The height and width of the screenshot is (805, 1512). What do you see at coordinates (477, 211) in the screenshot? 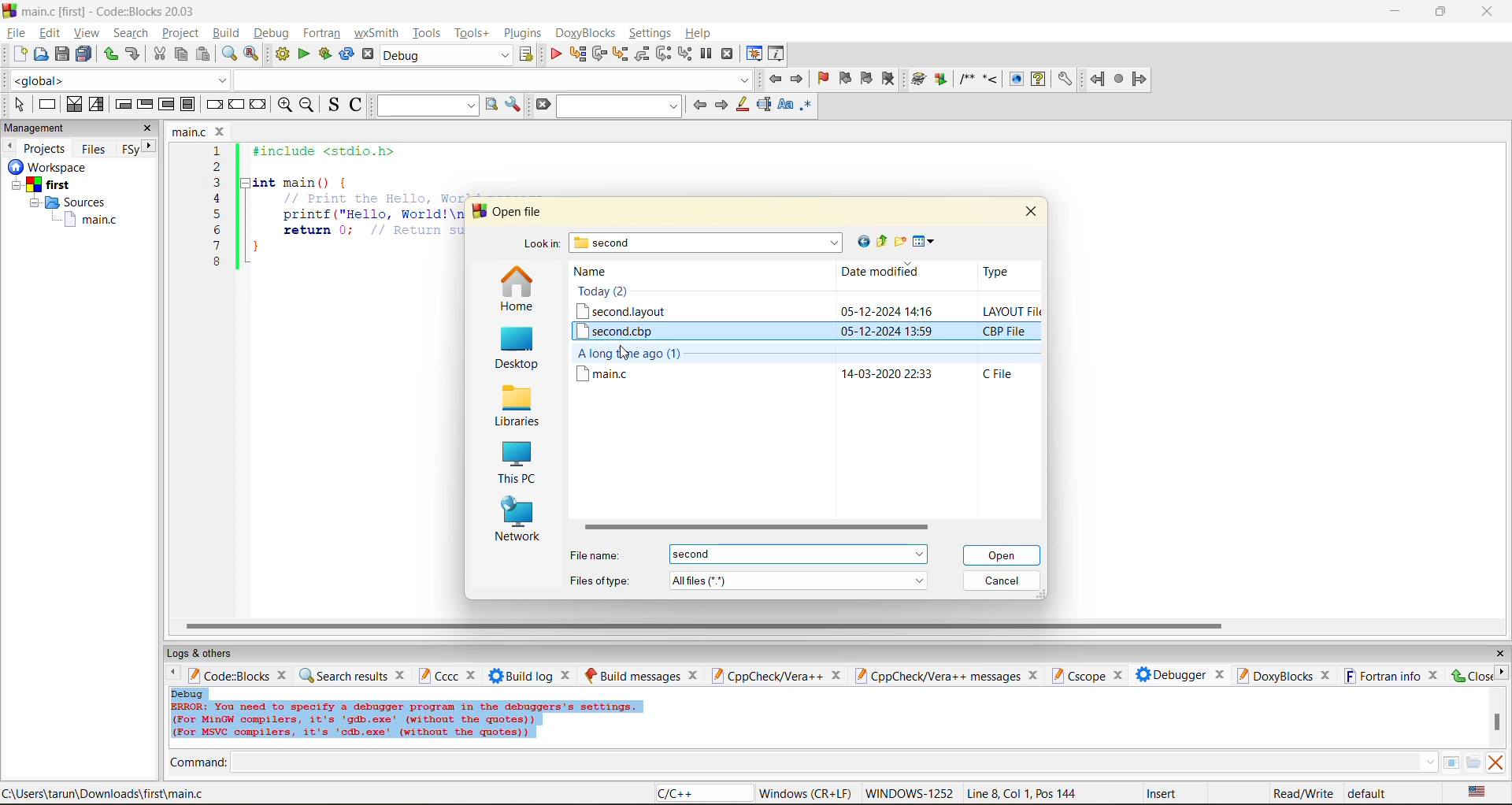
I see `logo` at bounding box center [477, 211].